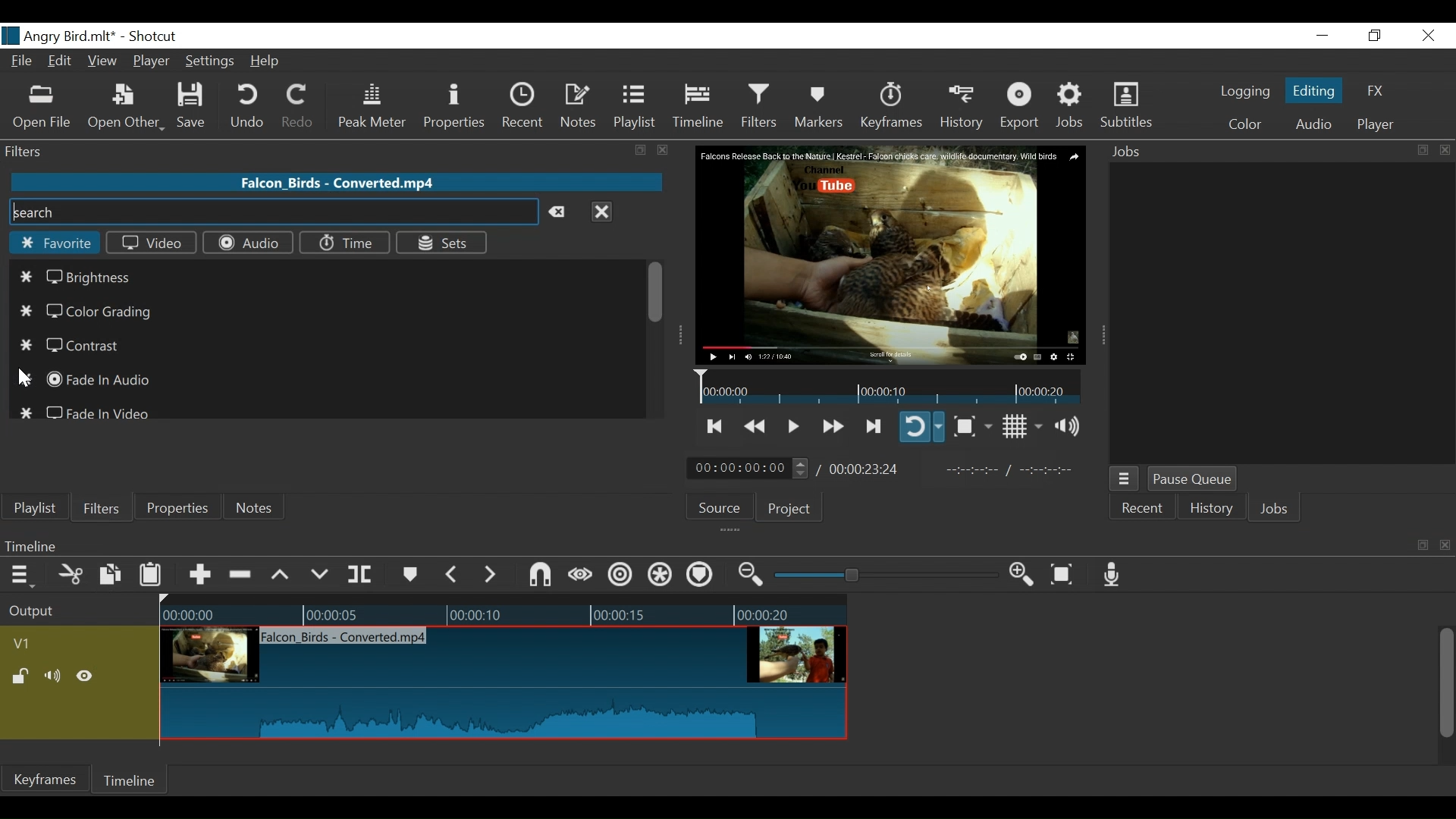 Image resolution: width=1456 pixels, height=819 pixels. I want to click on Zoom slider, so click(889, 575).